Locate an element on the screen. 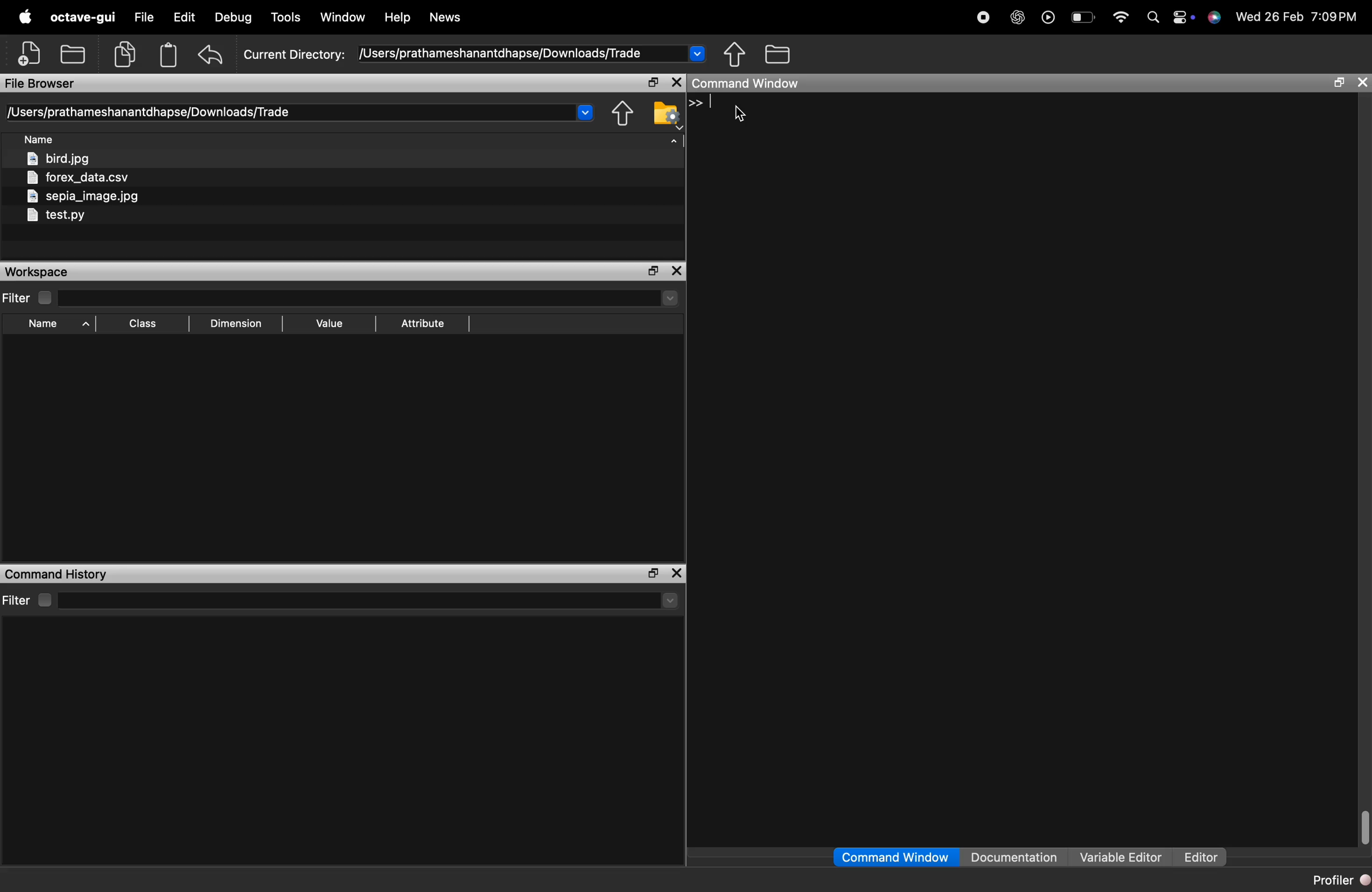 The width and height of the screenshot is (1372, 892). window is located at coordinates (344, 18).